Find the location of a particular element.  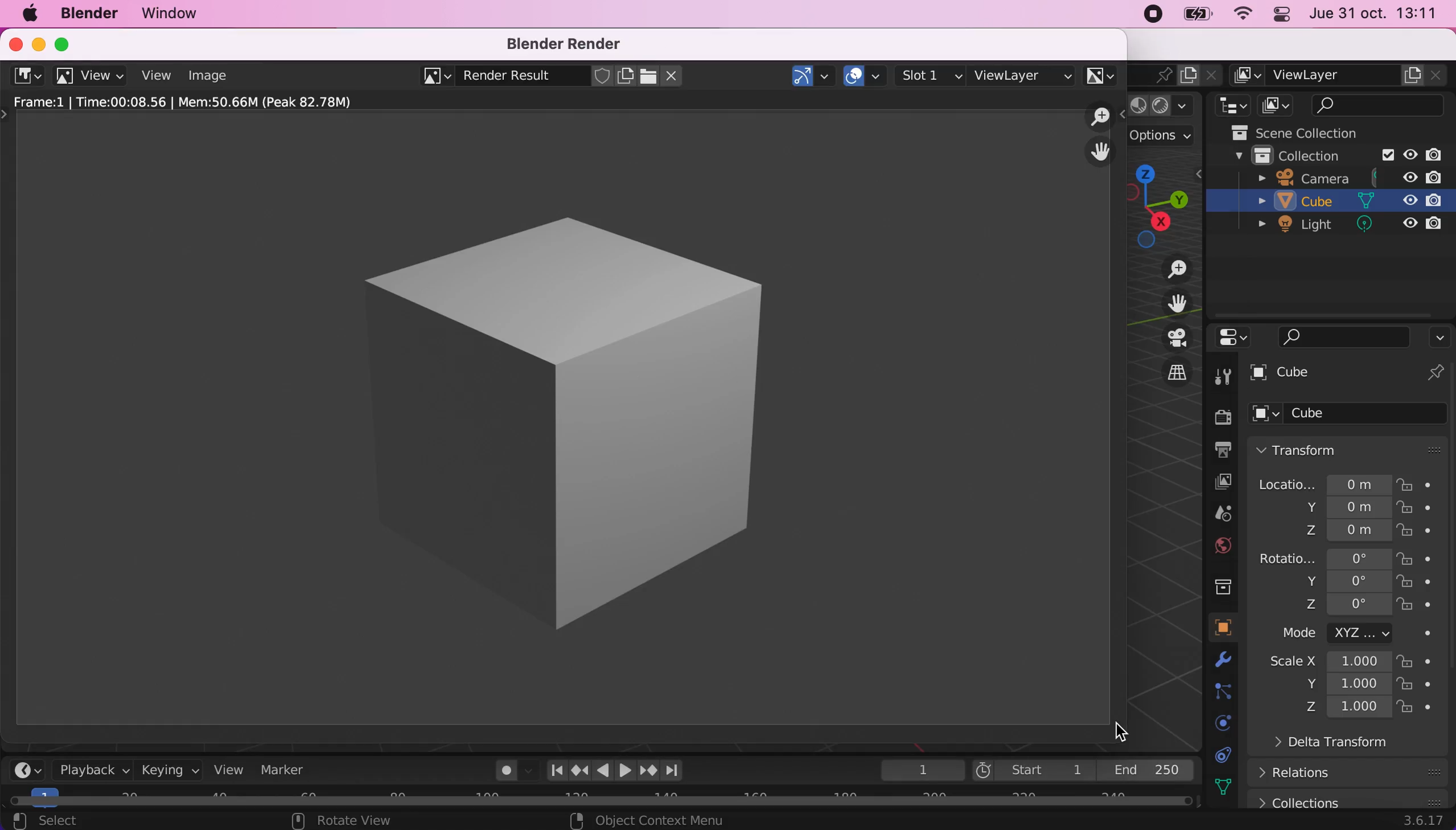

lock is located at coordinates (1417, 710).